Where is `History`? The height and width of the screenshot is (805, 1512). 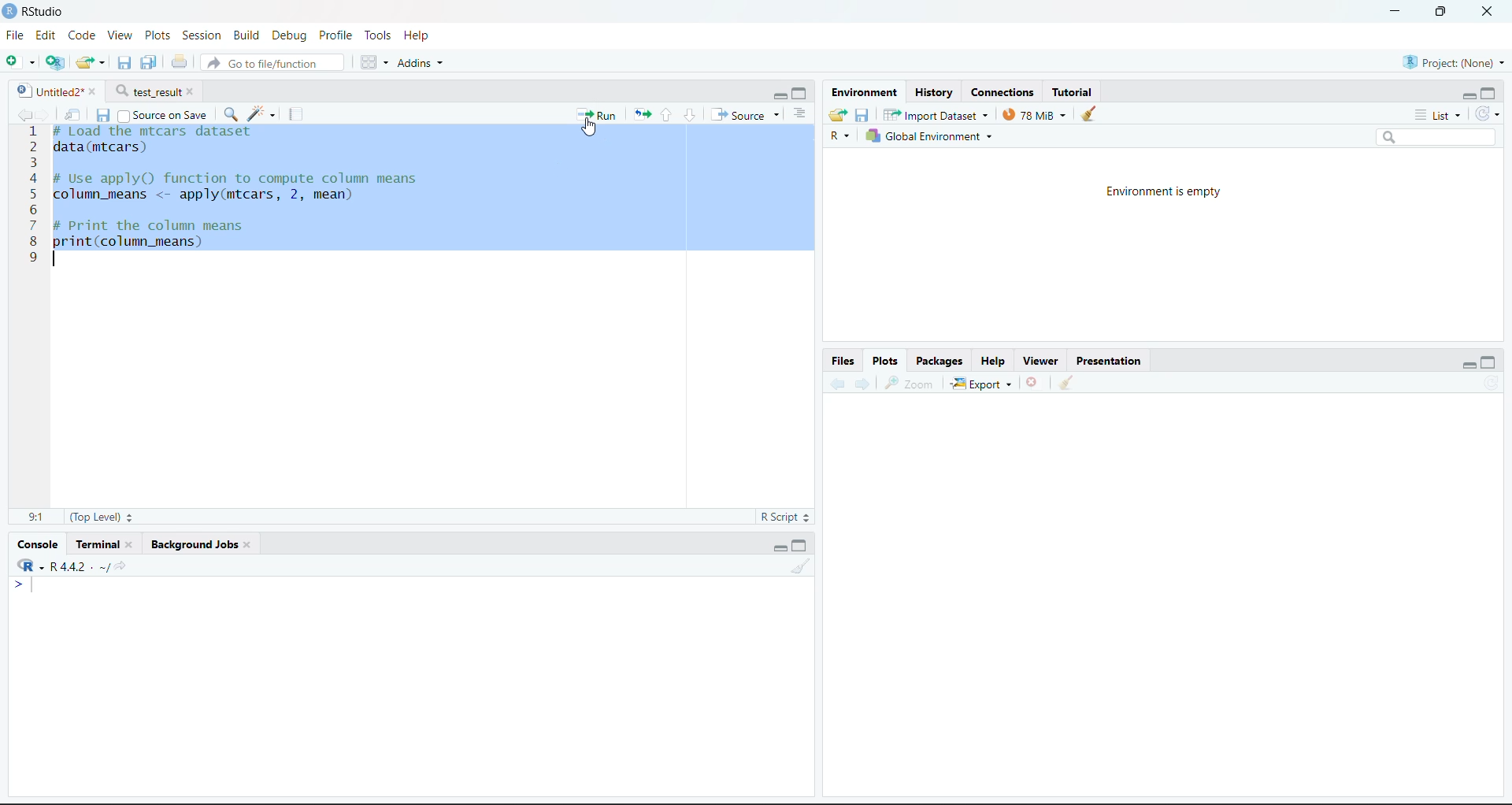
History is located at coordinates (934, 91).